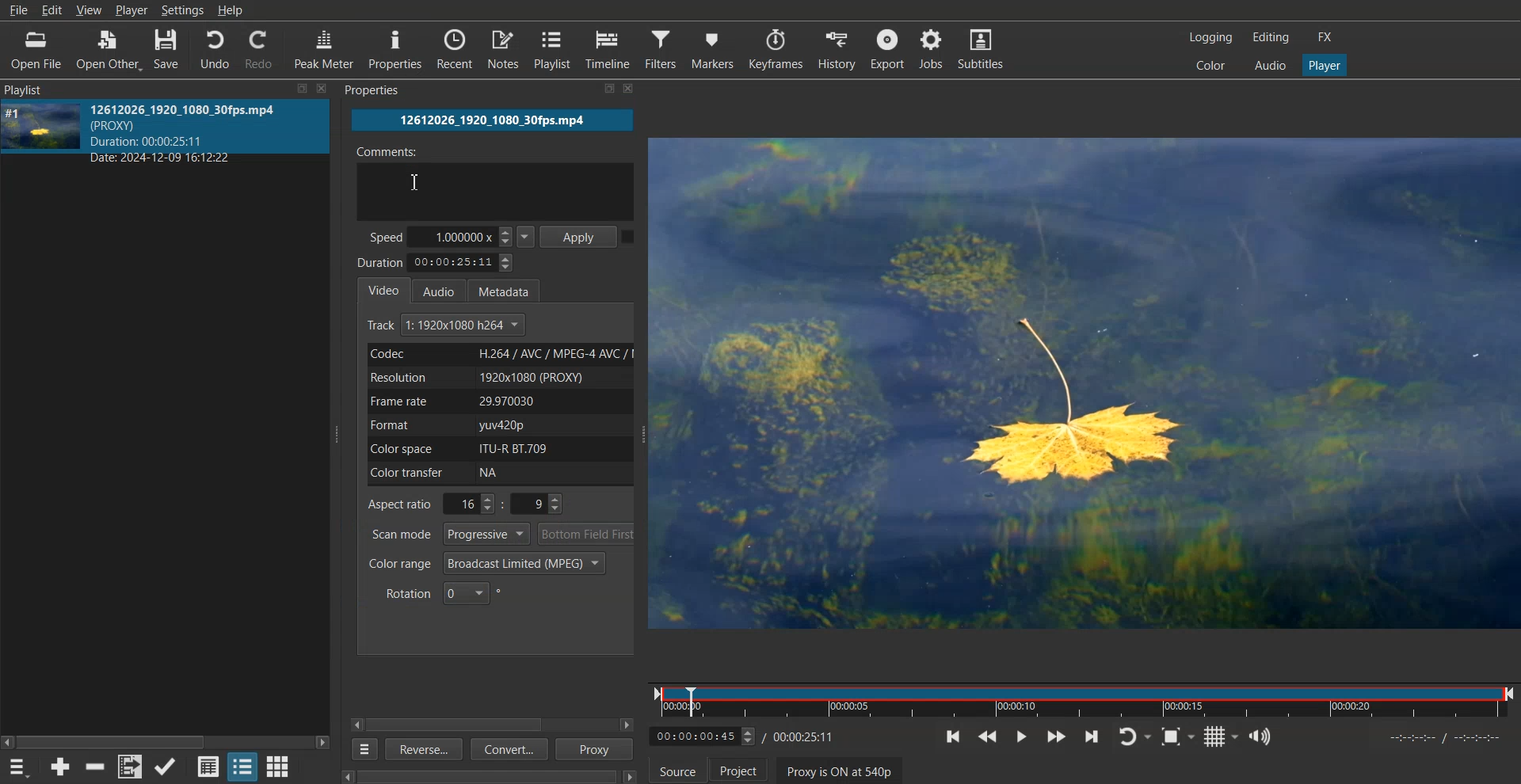 This screenshot has width=1521, height=784. I want to click on View, so click(90, 11).